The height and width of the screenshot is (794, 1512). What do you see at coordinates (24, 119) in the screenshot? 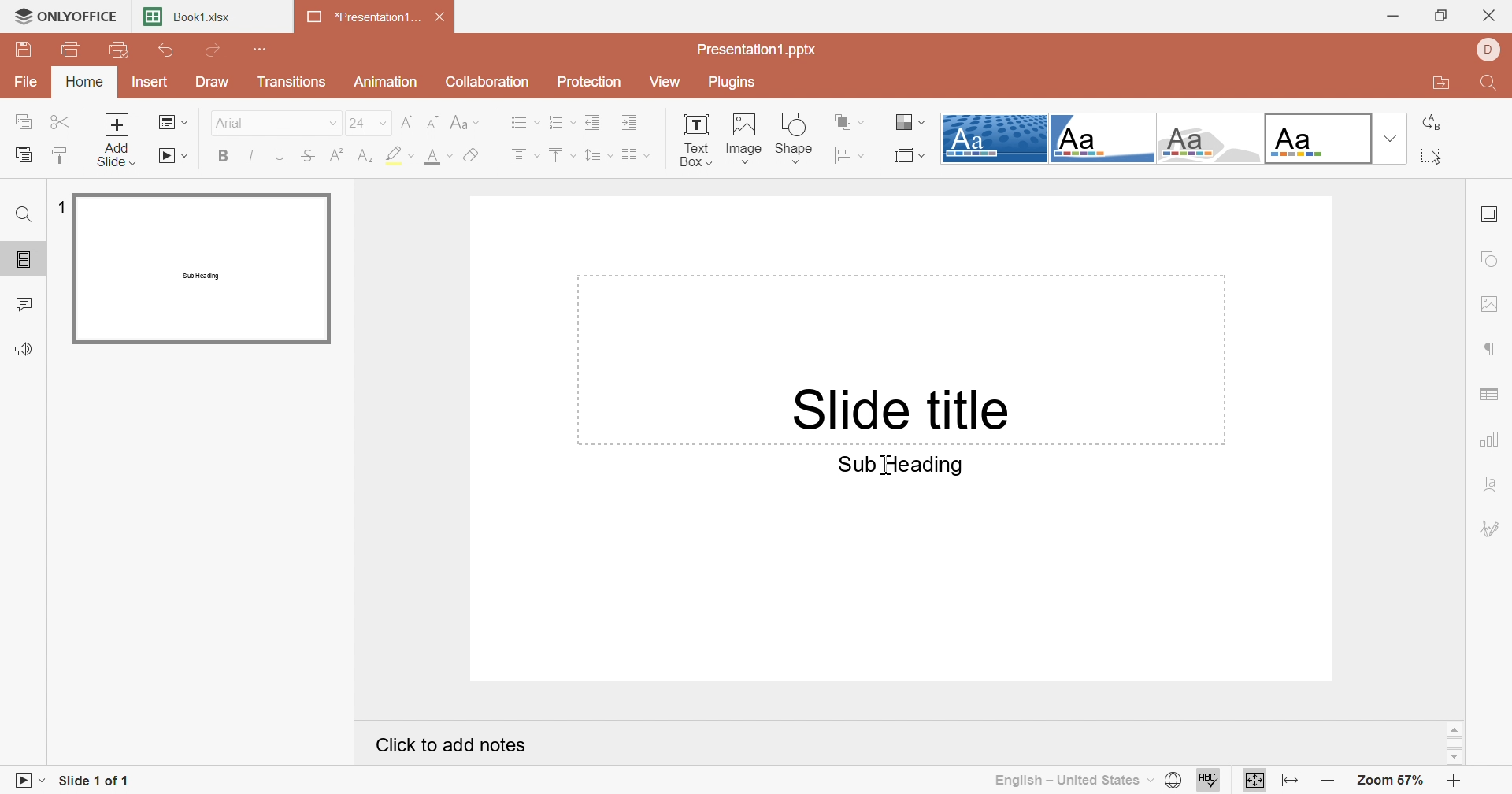
I see `Copy` at bounding box center [24, 119].